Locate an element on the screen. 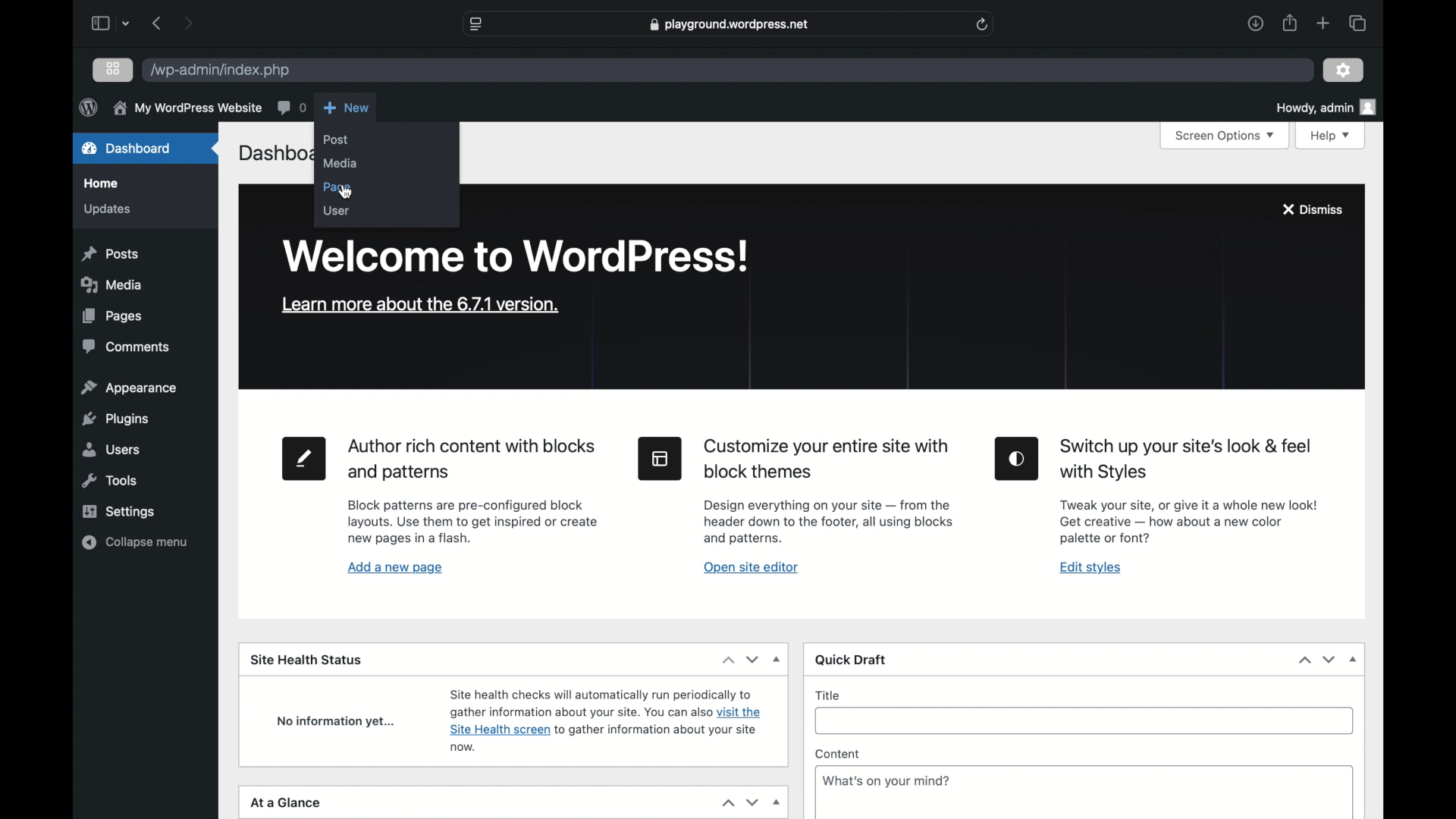 This screenshot has height=819, width=1456. comments is located at coordinates (127, 346).